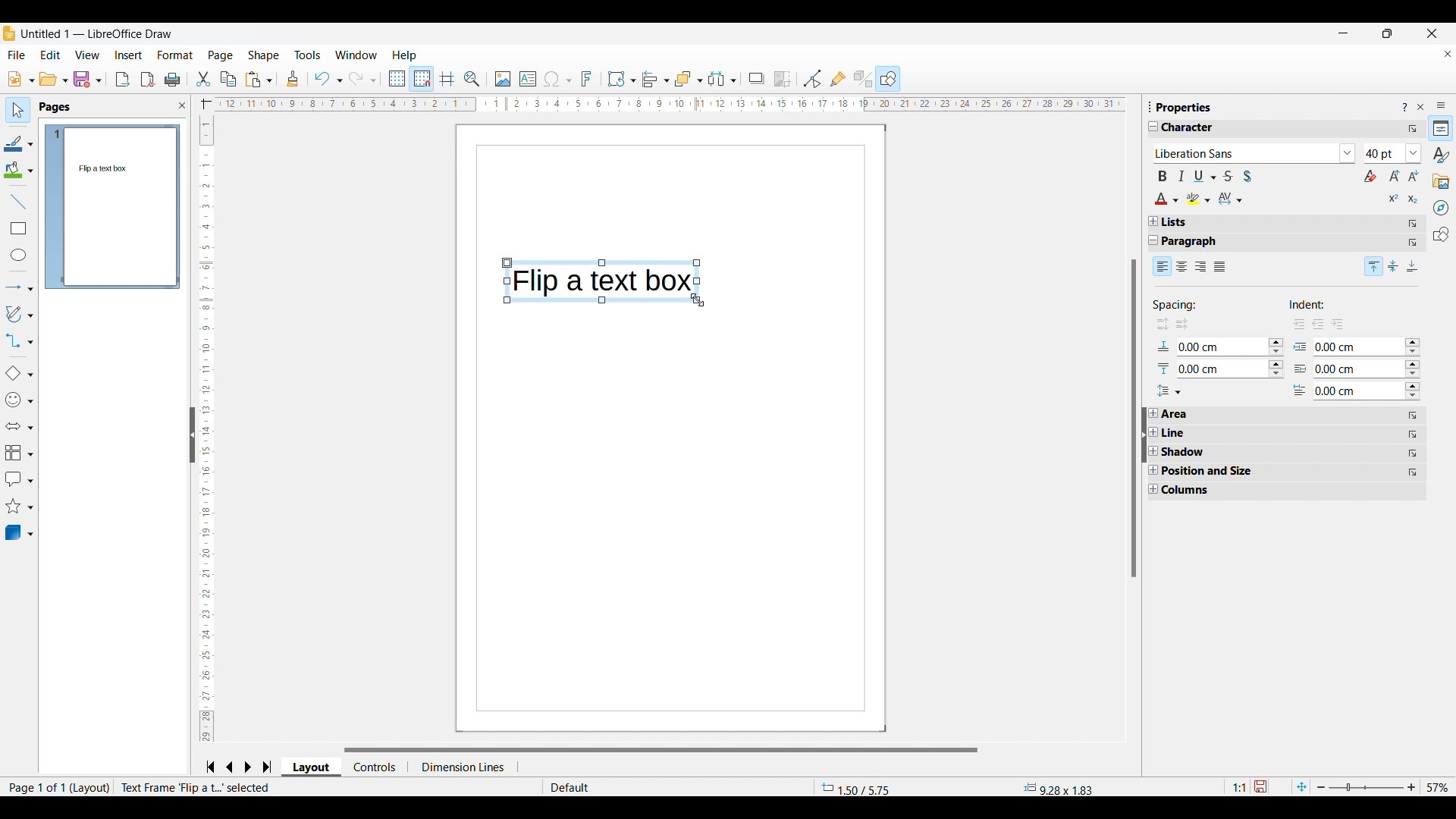  What do you see at coordinates (1205, 176) in the screenshot?
I see `Underline options` at bounding box center [1205, 176].